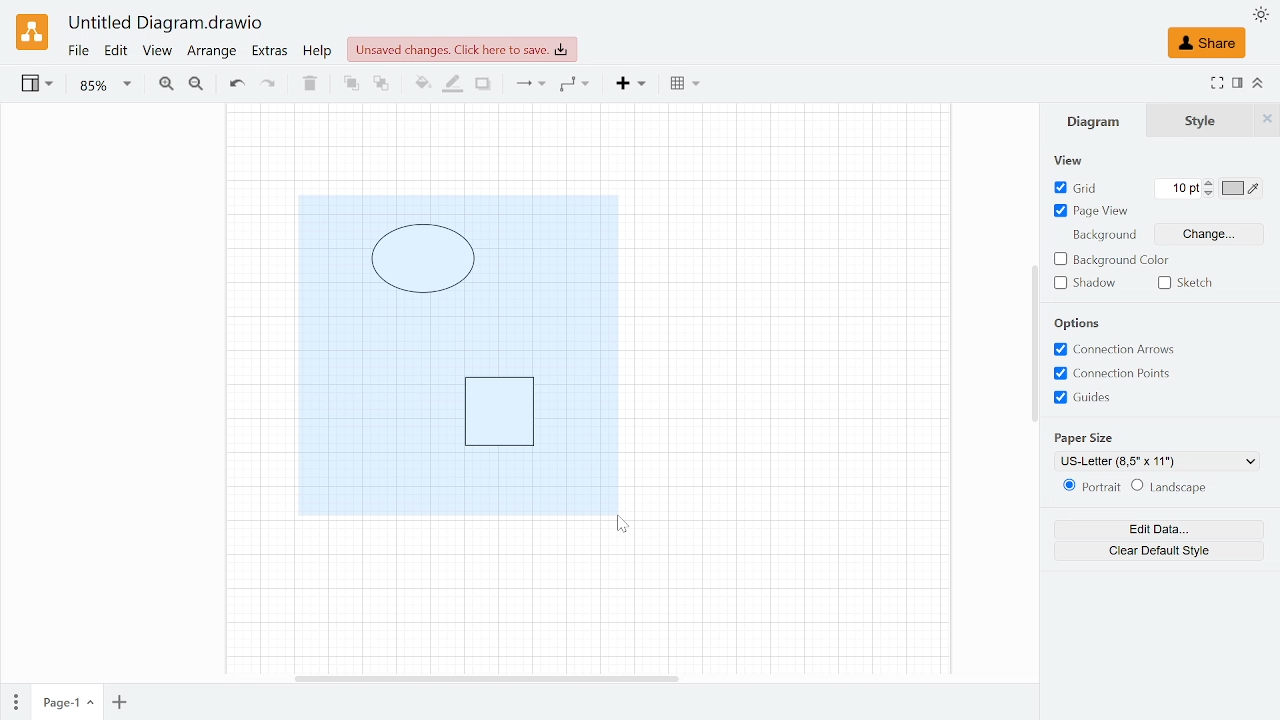 The height and width of the screenshot is (720, 1280). What do you see at coordinates (381, 84) in the screenshot?
I see `To back` at bounding box center [381, 84].